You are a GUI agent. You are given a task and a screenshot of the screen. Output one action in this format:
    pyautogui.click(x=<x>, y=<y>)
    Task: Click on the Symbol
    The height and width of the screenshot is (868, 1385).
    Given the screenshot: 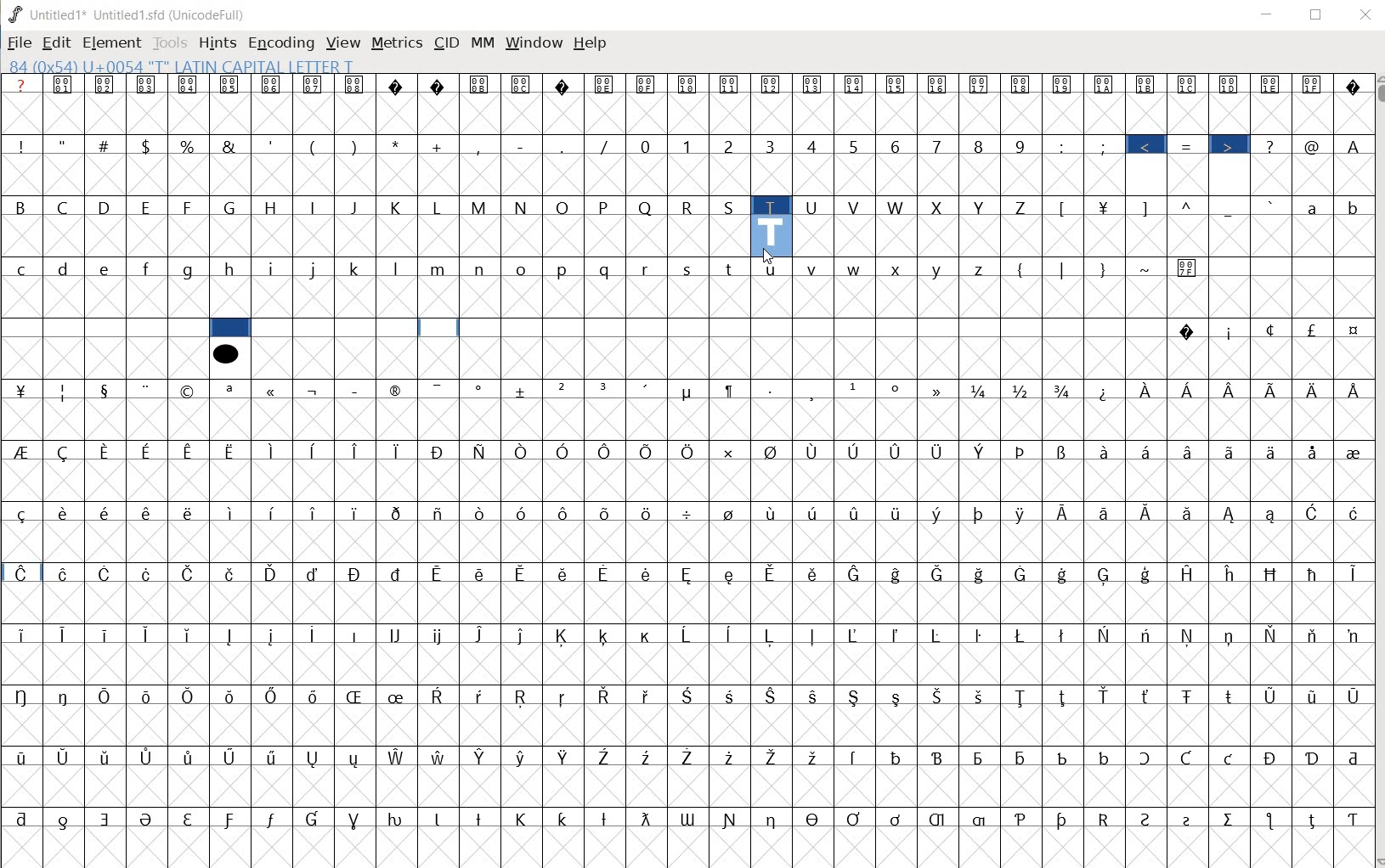 What is the action you would take?
    pyautogui.click(x=64, y=573)
    